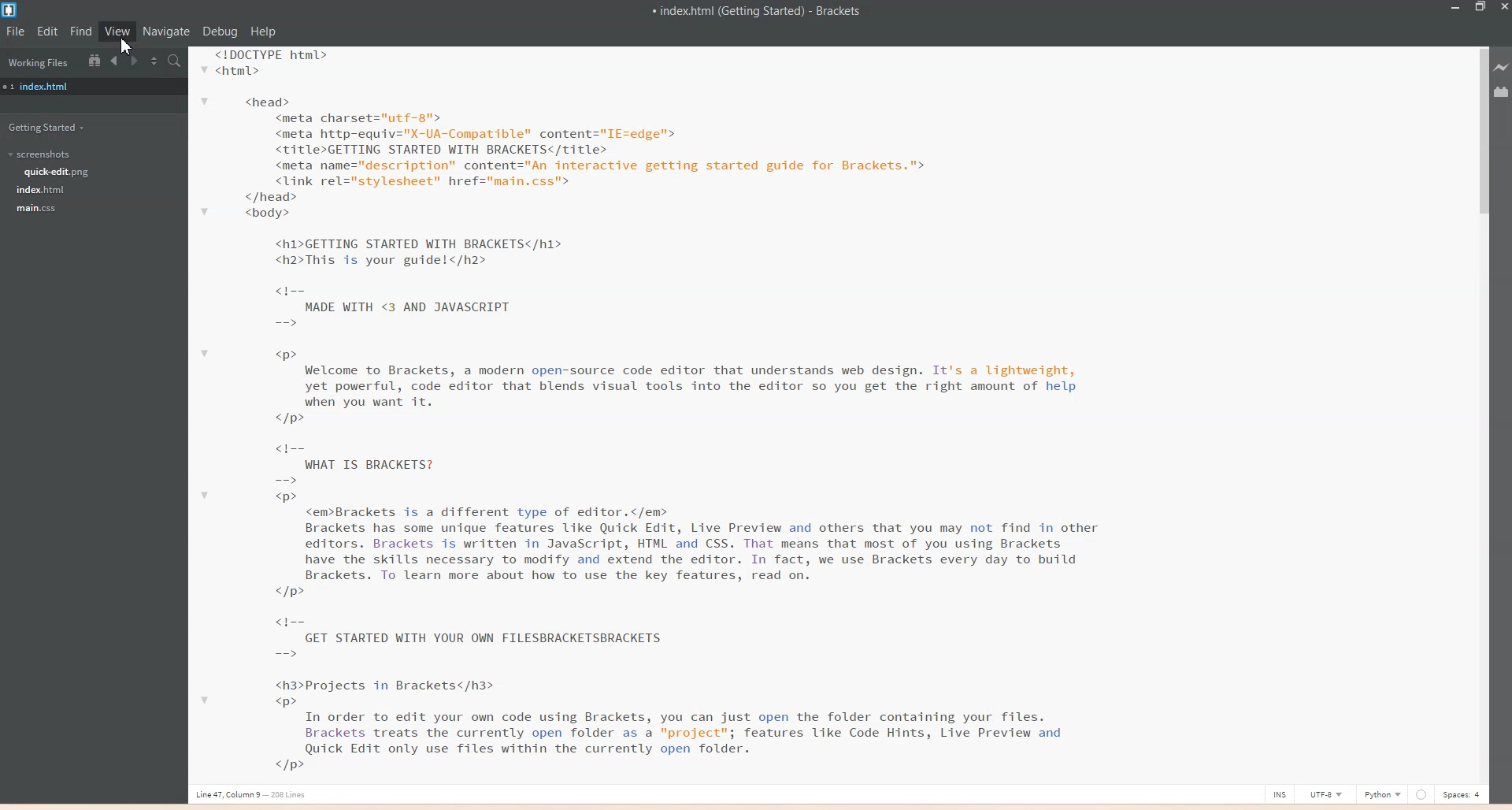 This screenshot has height=810, width=1512. Describe the element at coordinates (1503, 9) in the screenshot. I see `Close` at that location.